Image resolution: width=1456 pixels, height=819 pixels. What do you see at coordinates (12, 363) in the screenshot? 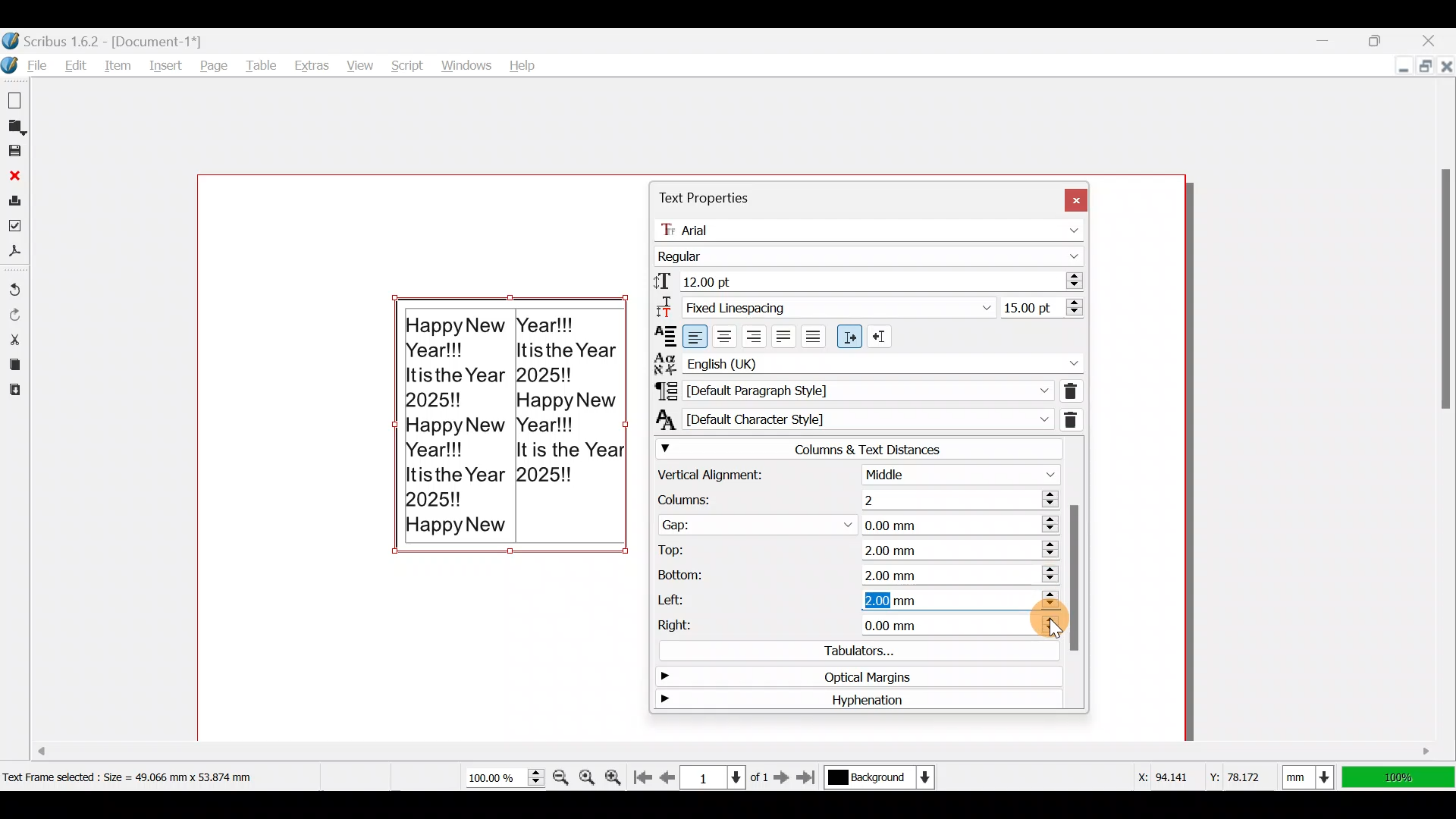
I see `Copy` at bounding box center [12, 363].